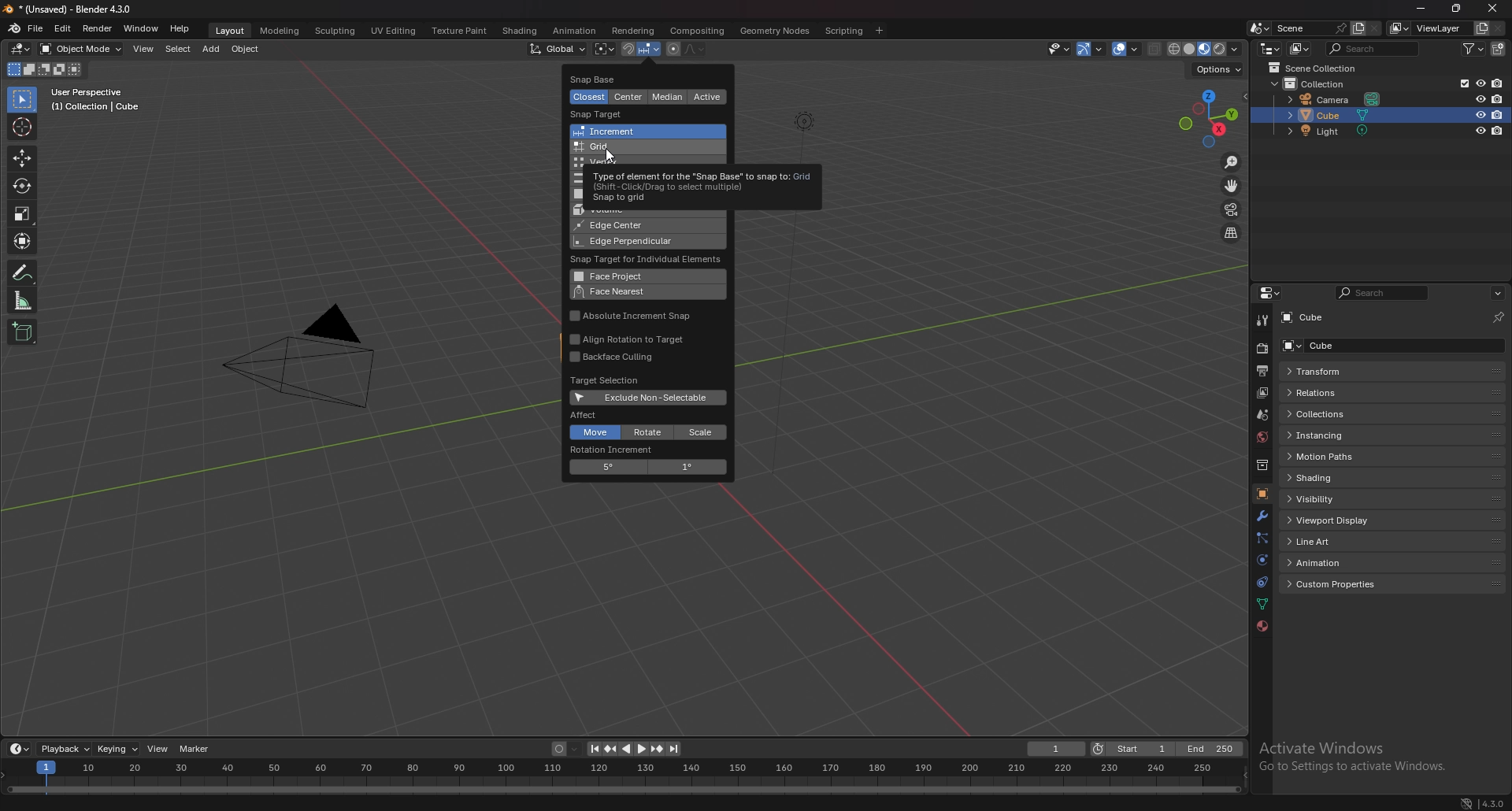 Image resolution: width=1512 pixels, height=811 pixels. I want to click on active, so click(706, 97).